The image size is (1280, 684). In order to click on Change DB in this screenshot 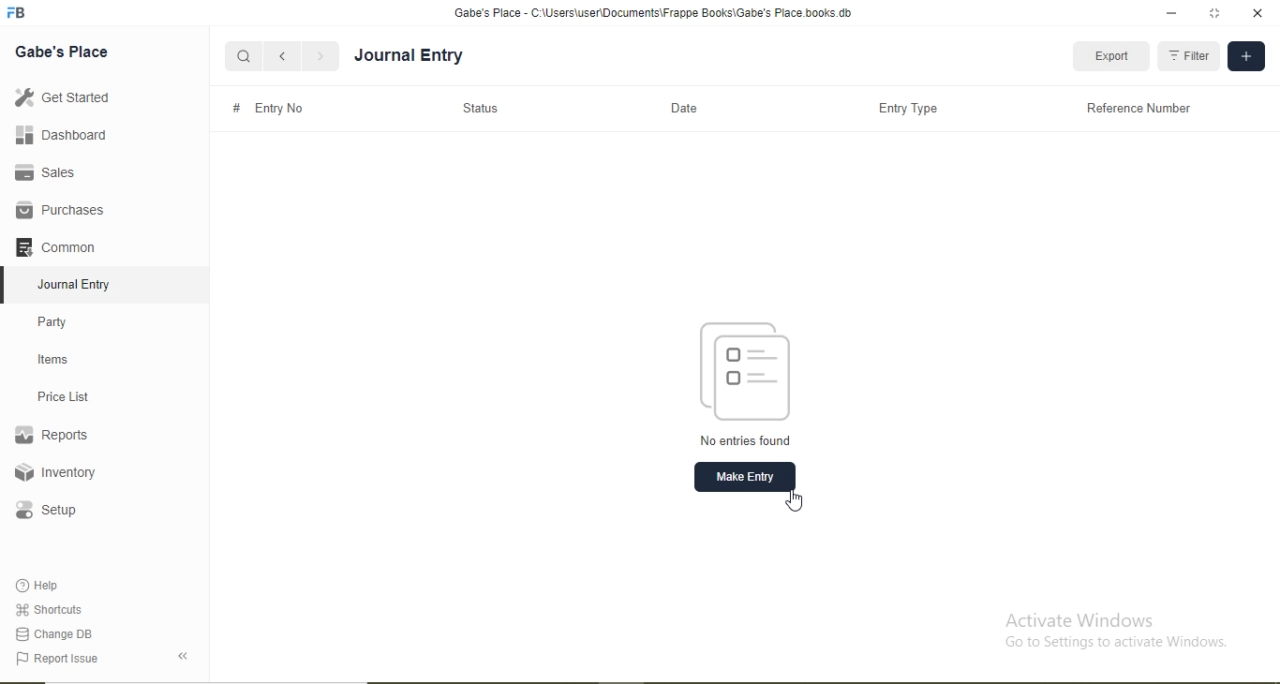, I will do `click(52, 635)`.